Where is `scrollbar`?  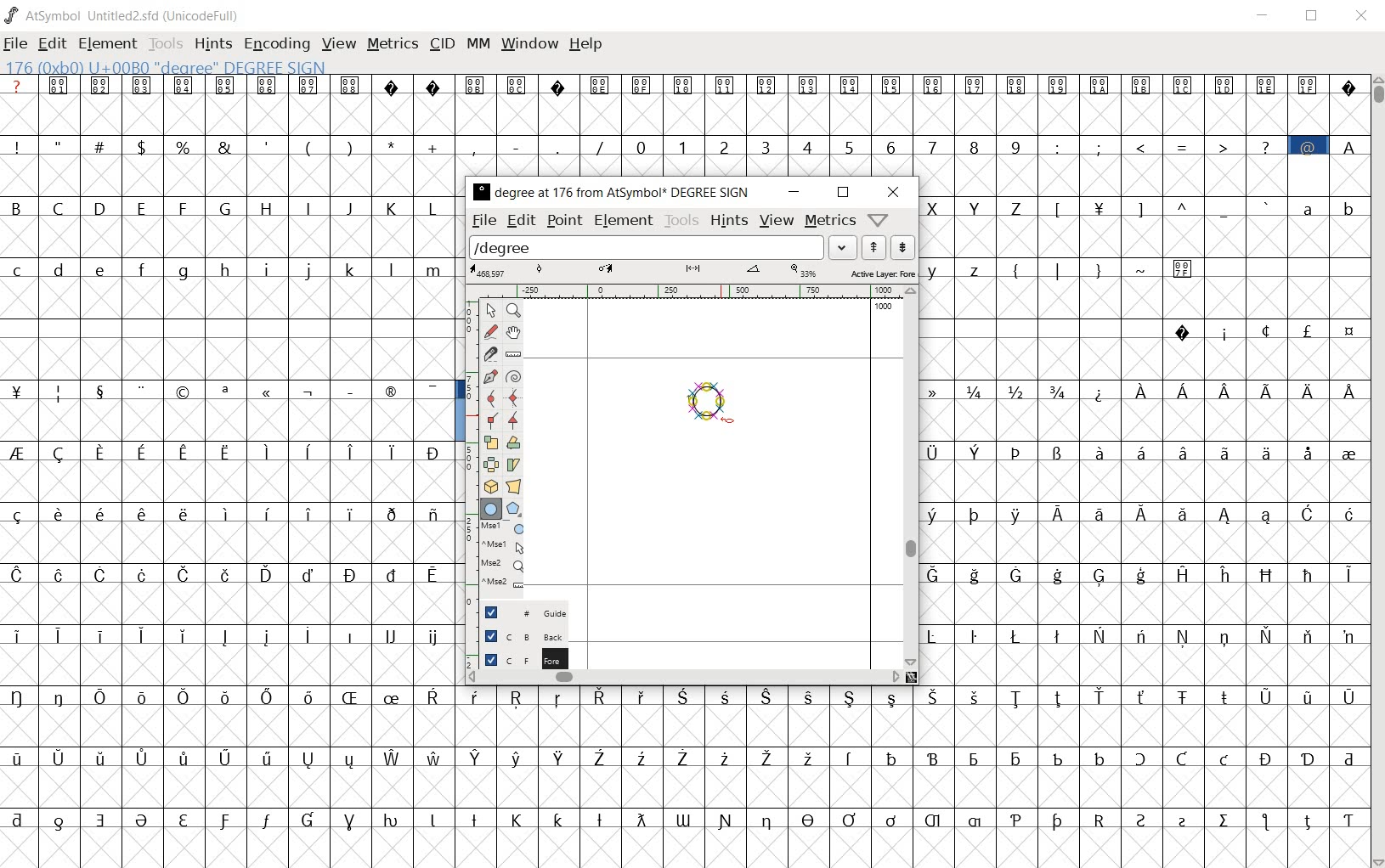
scrollbar is located at coordinates (909, 477).